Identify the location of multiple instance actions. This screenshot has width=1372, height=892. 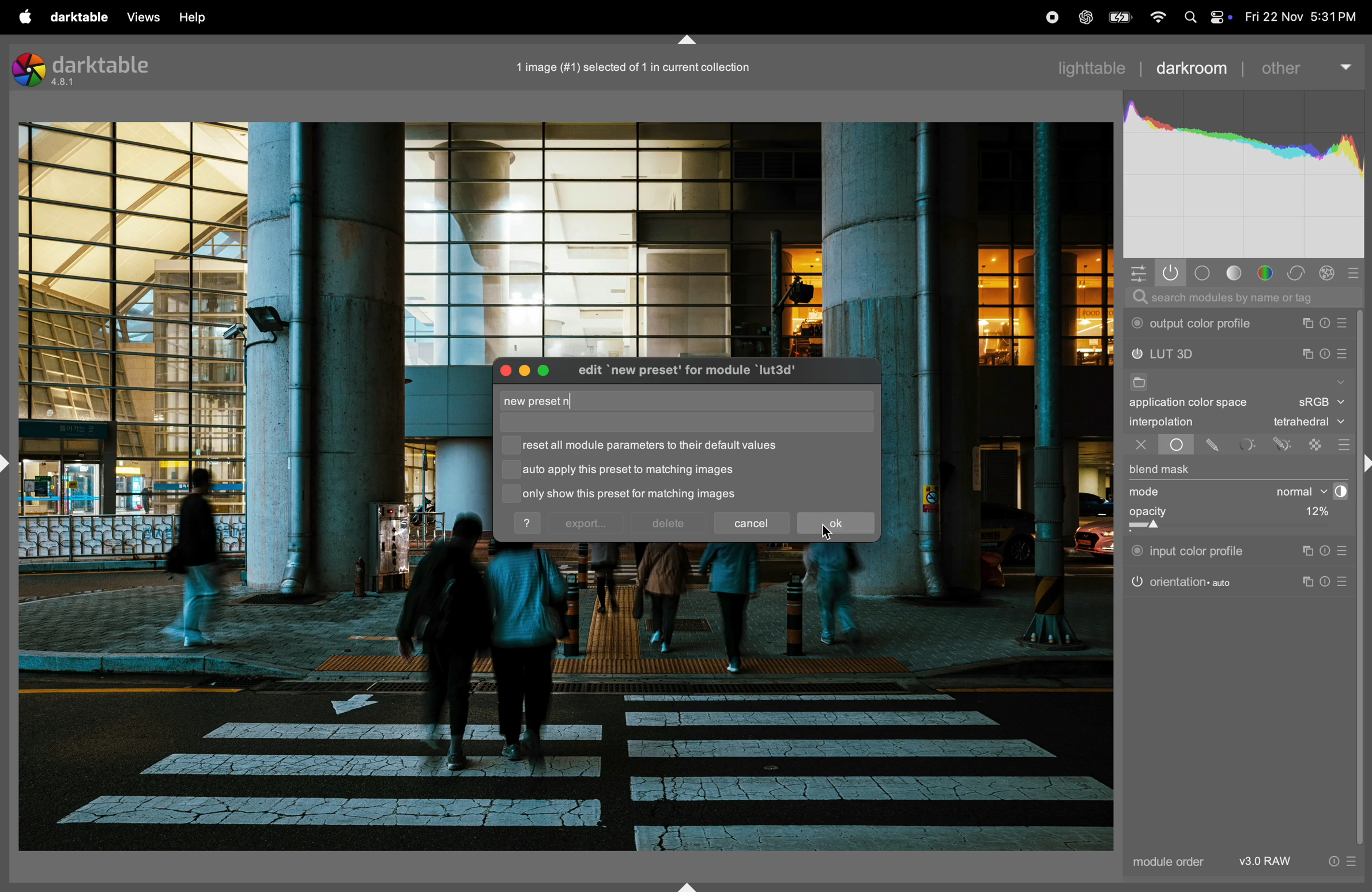
(1307, 354).